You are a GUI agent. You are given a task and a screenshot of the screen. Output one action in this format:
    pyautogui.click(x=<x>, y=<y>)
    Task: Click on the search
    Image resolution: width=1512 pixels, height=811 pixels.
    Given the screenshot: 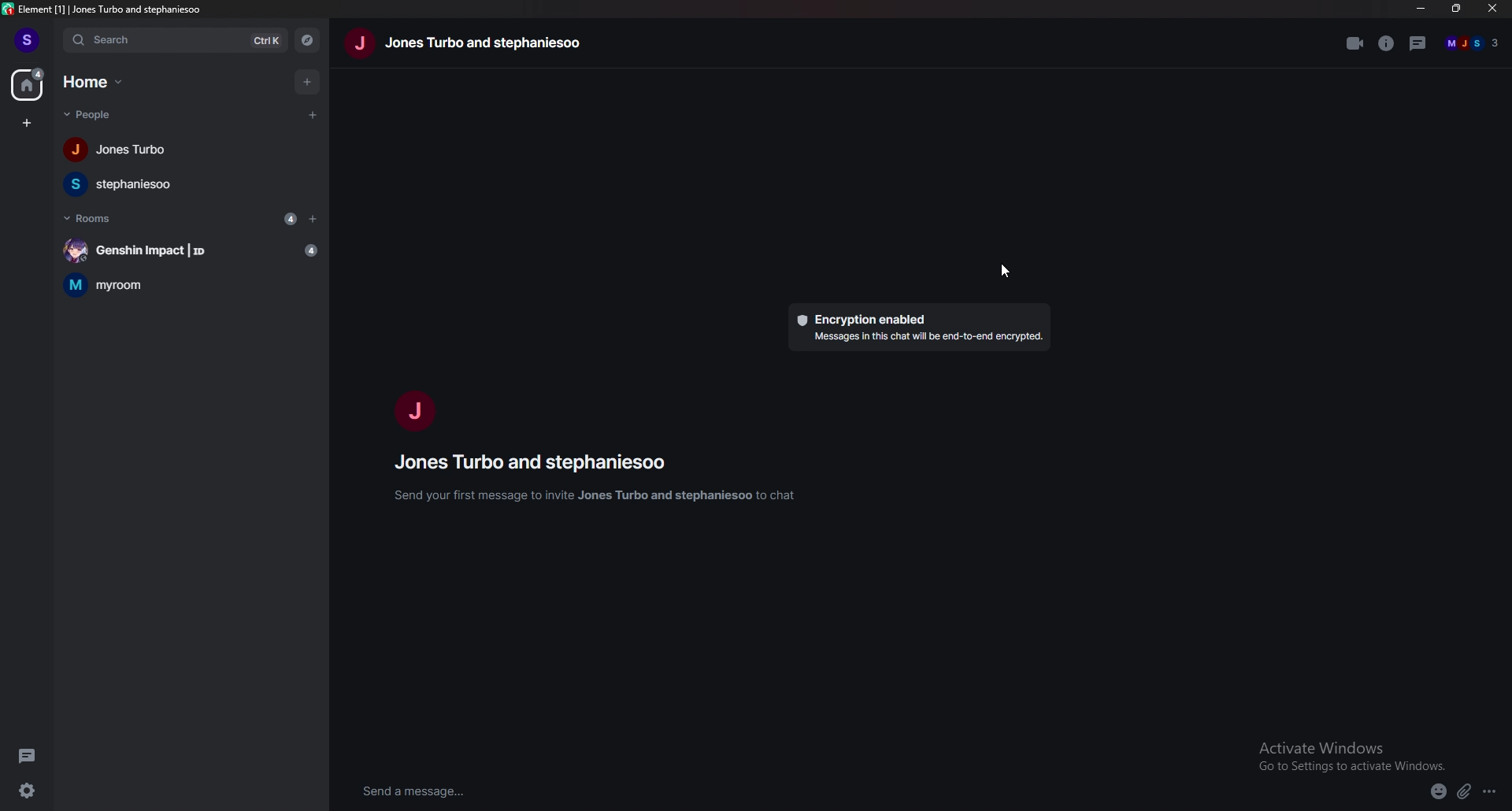 What is the action you would take?
    pyautogui.click(x=150, y=40)
    